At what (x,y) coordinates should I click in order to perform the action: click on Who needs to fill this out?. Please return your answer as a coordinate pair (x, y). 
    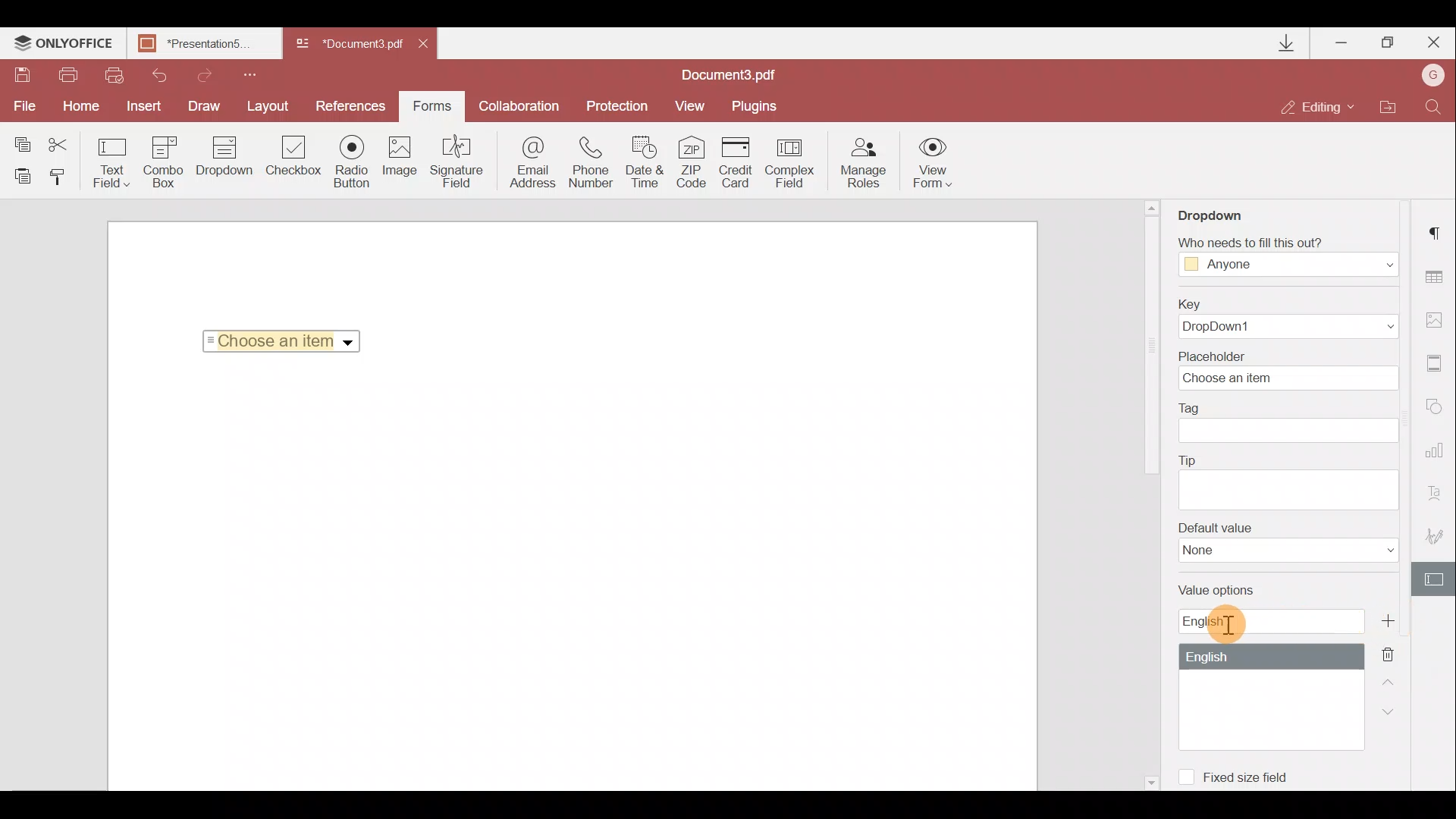
    Looking at the image, I should click on (1288, 252).